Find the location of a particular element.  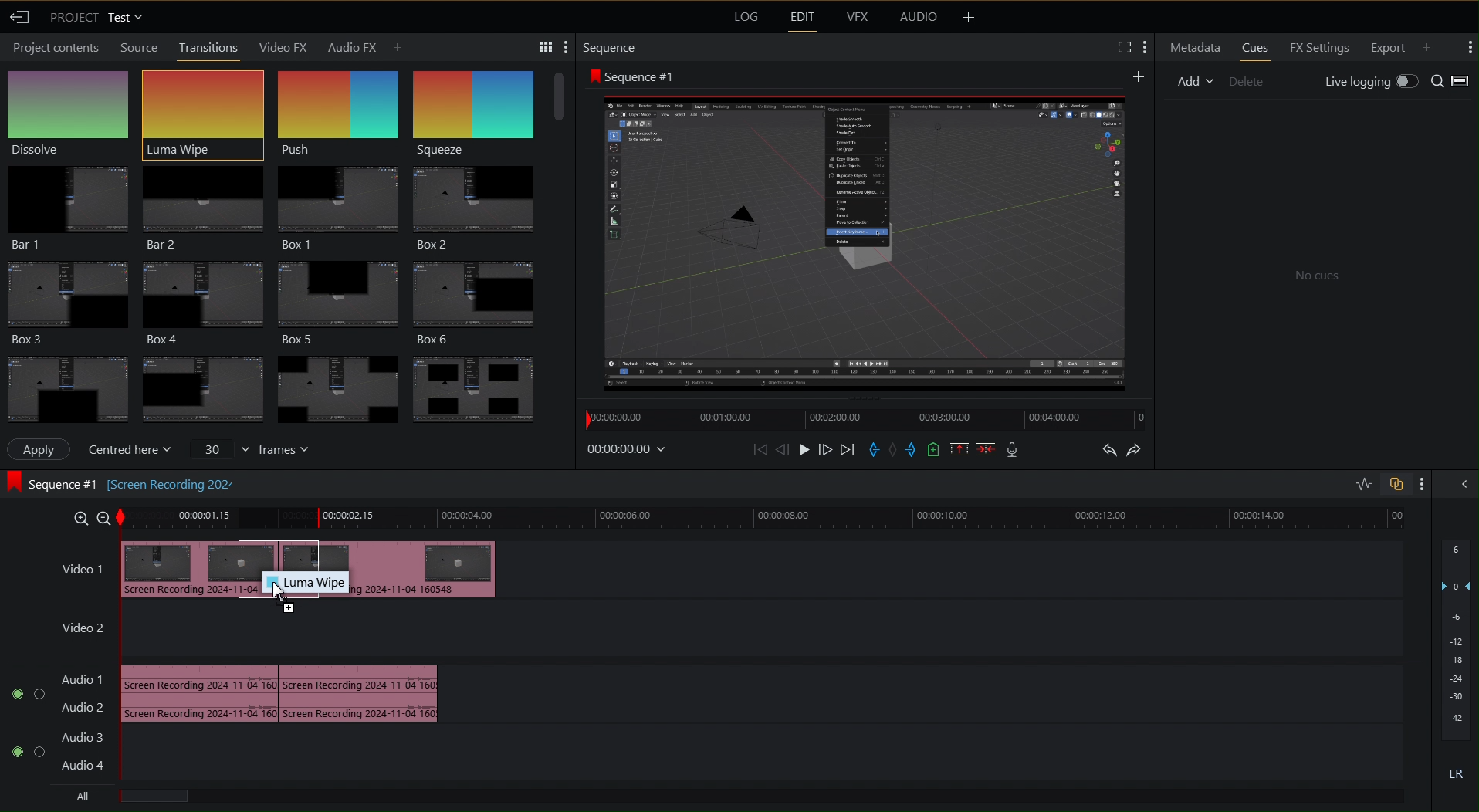

Video FX is located at coordinates (285, 46).